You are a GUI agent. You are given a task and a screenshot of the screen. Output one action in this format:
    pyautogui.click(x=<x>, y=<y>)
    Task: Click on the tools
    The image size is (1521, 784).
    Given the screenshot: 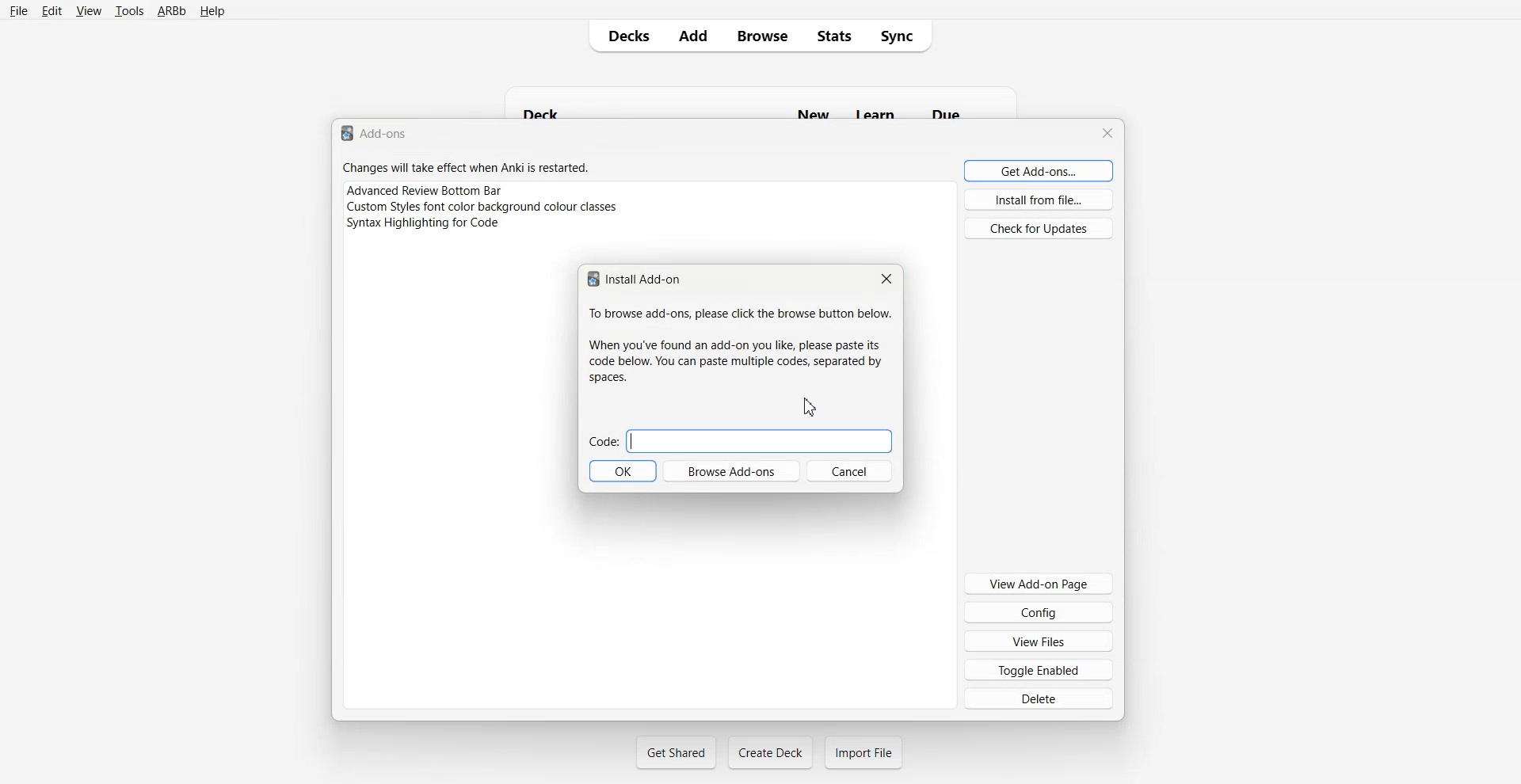 What is the action you would take?
    pyautogui.click(x=128, y=10)
    